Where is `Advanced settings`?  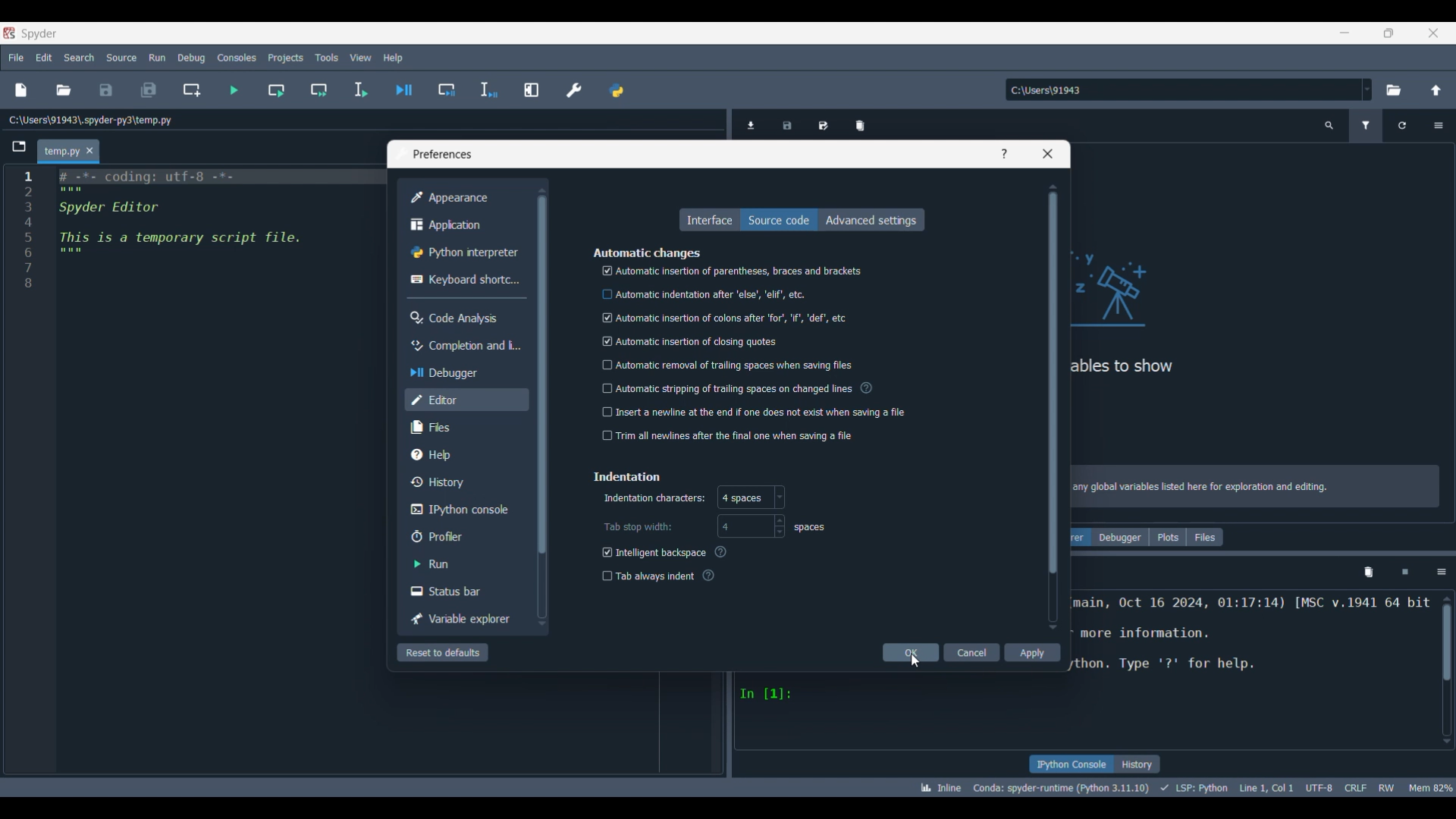
Advanced settings is located at coordinates (871, 220).